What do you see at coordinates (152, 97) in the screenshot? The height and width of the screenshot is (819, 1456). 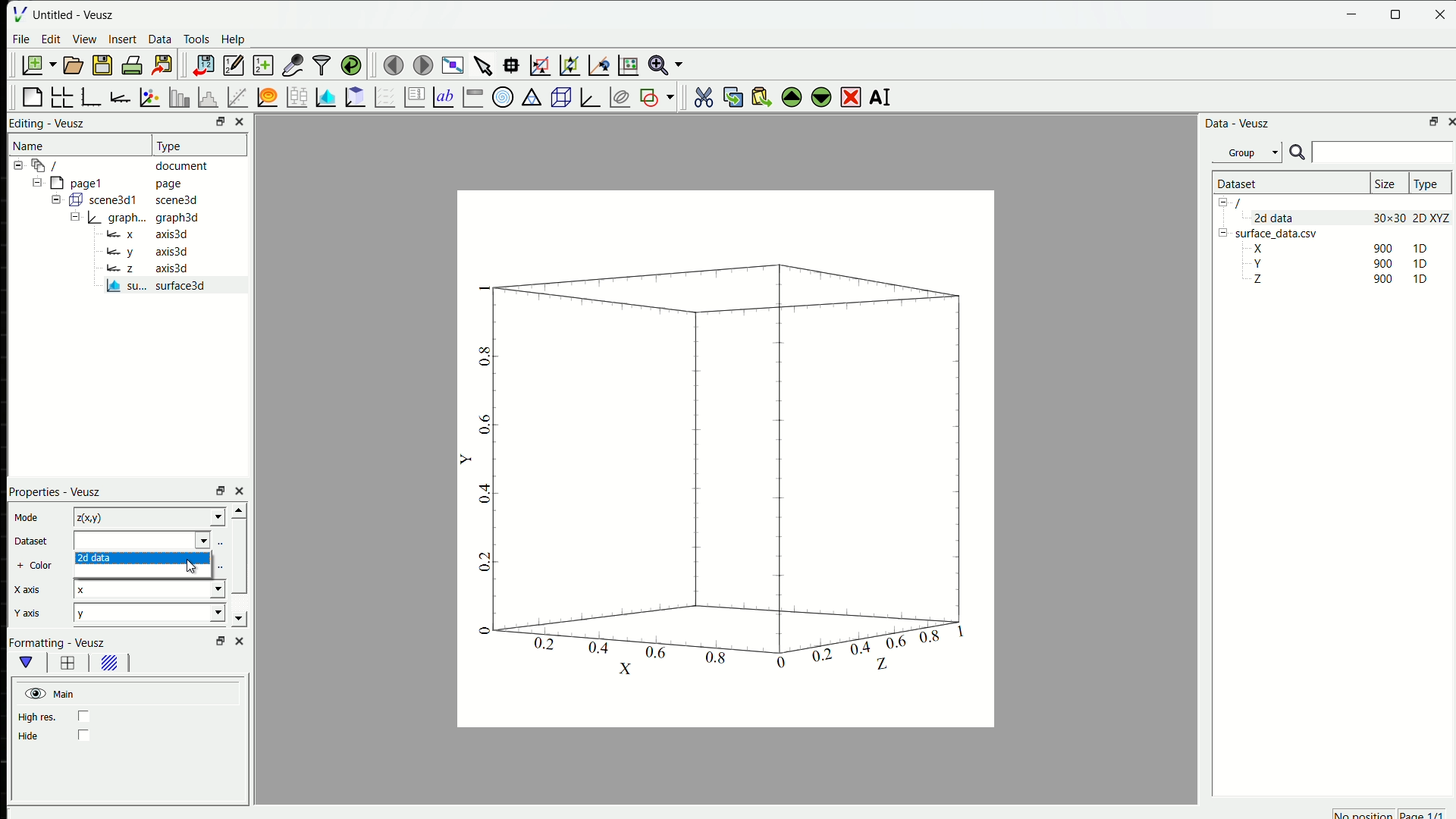 I see `plot points with lines and errorbars` at bounding box center [152, 97].